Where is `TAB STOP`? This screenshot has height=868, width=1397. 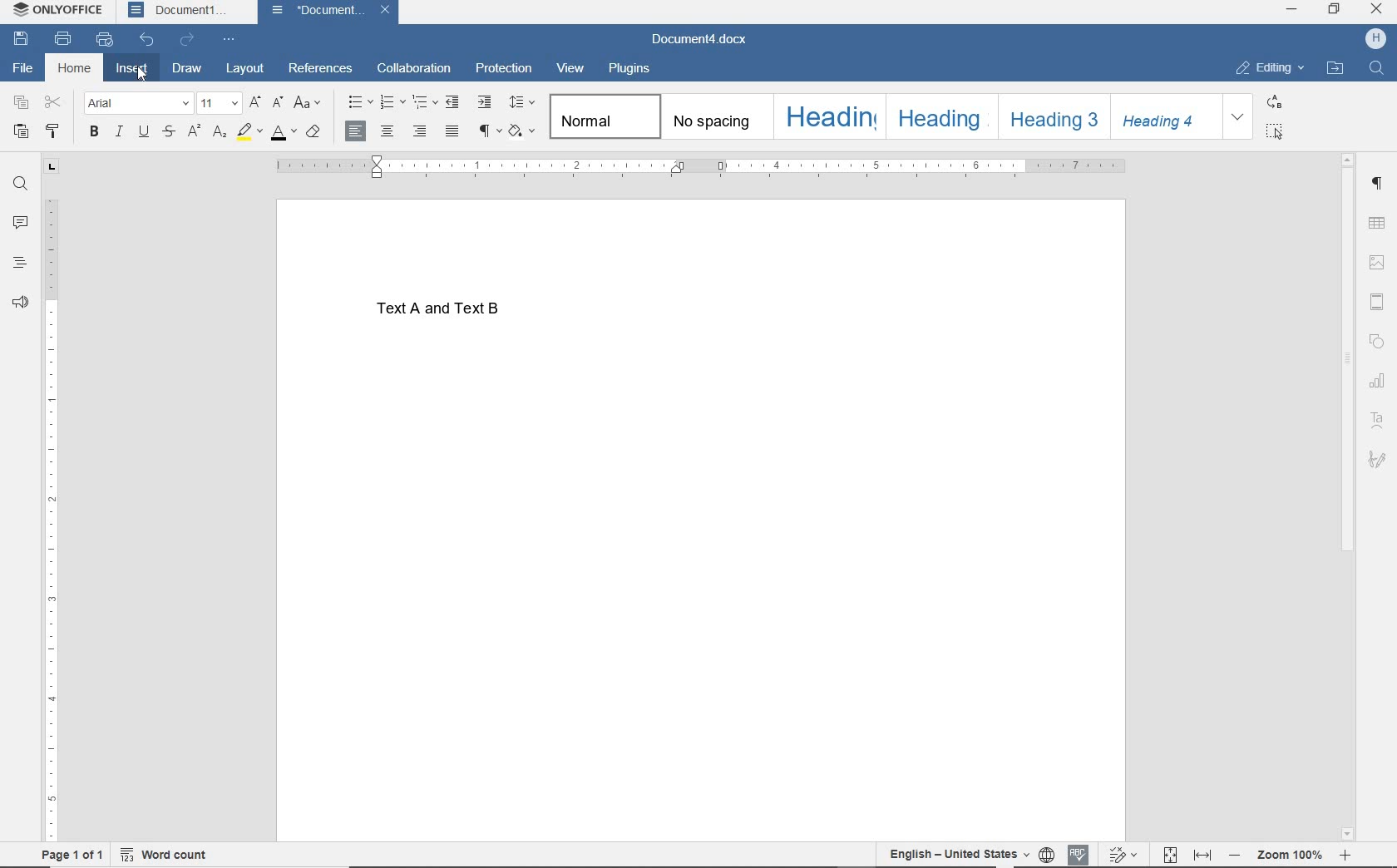 TAB STOP is located at coordinates (51, 167).